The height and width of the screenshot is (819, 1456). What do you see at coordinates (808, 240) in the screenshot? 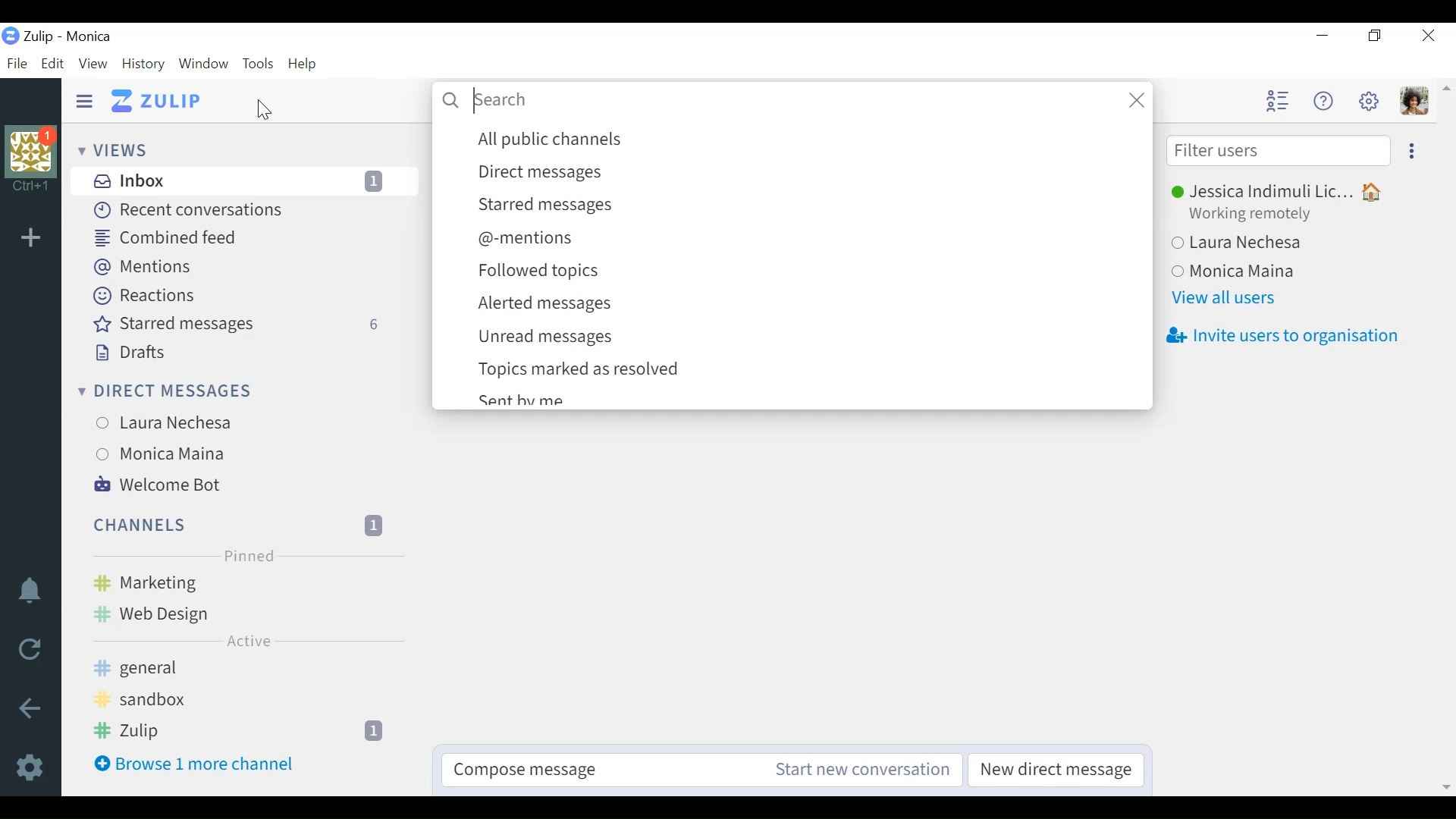
I see `@-mentions` at bounding box center [808, 240].